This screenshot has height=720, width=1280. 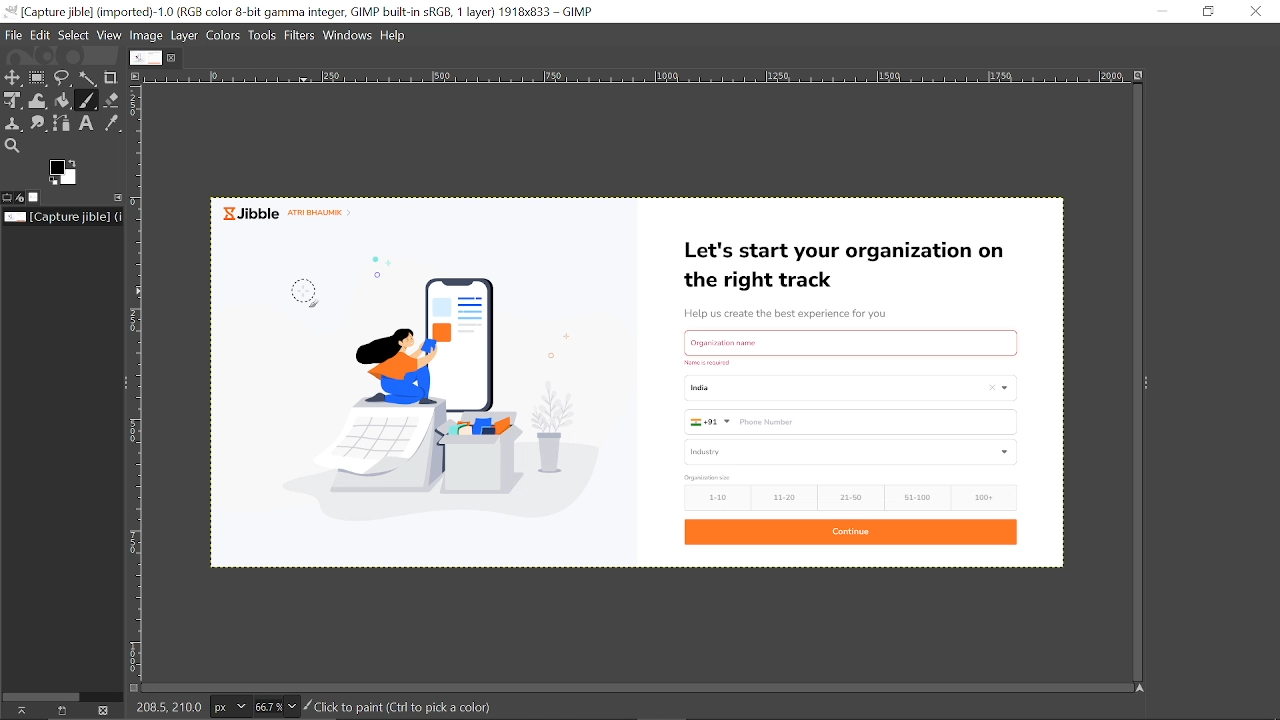 I want to click on Zoom images when window size changes, so click(x=1139, y=74).